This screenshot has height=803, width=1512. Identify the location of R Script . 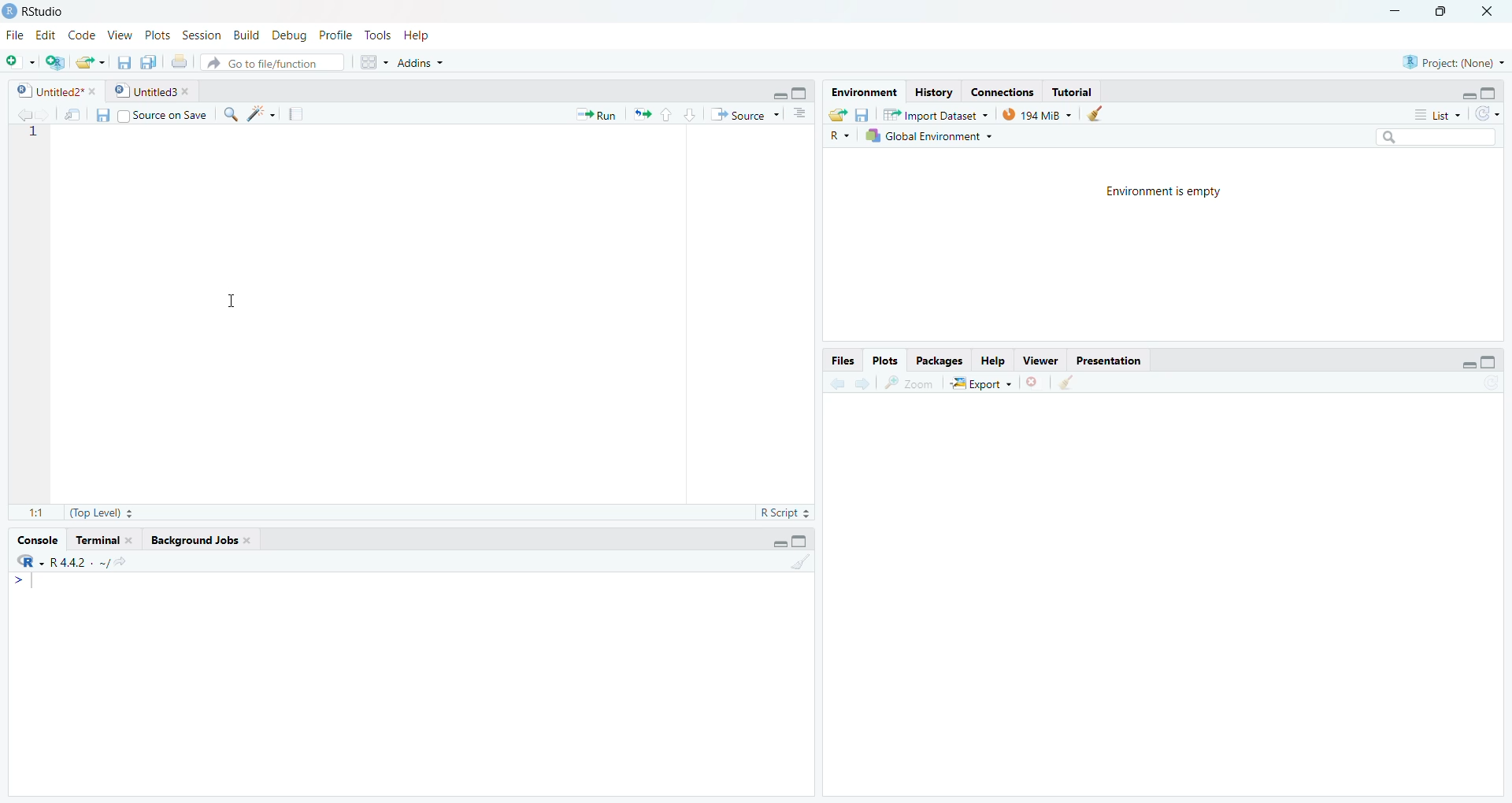
(783, 512).